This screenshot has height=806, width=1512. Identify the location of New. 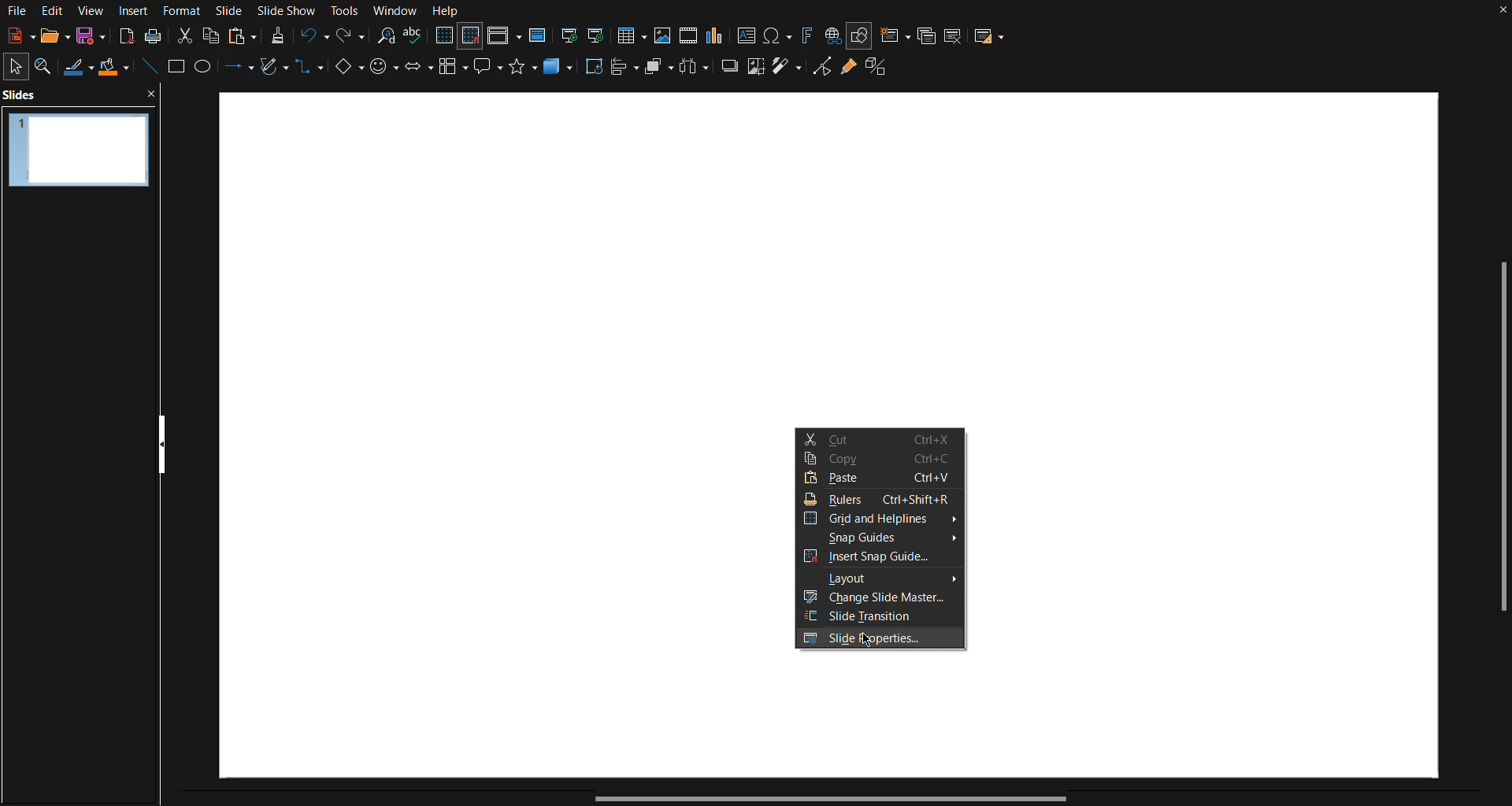
(16, 37).